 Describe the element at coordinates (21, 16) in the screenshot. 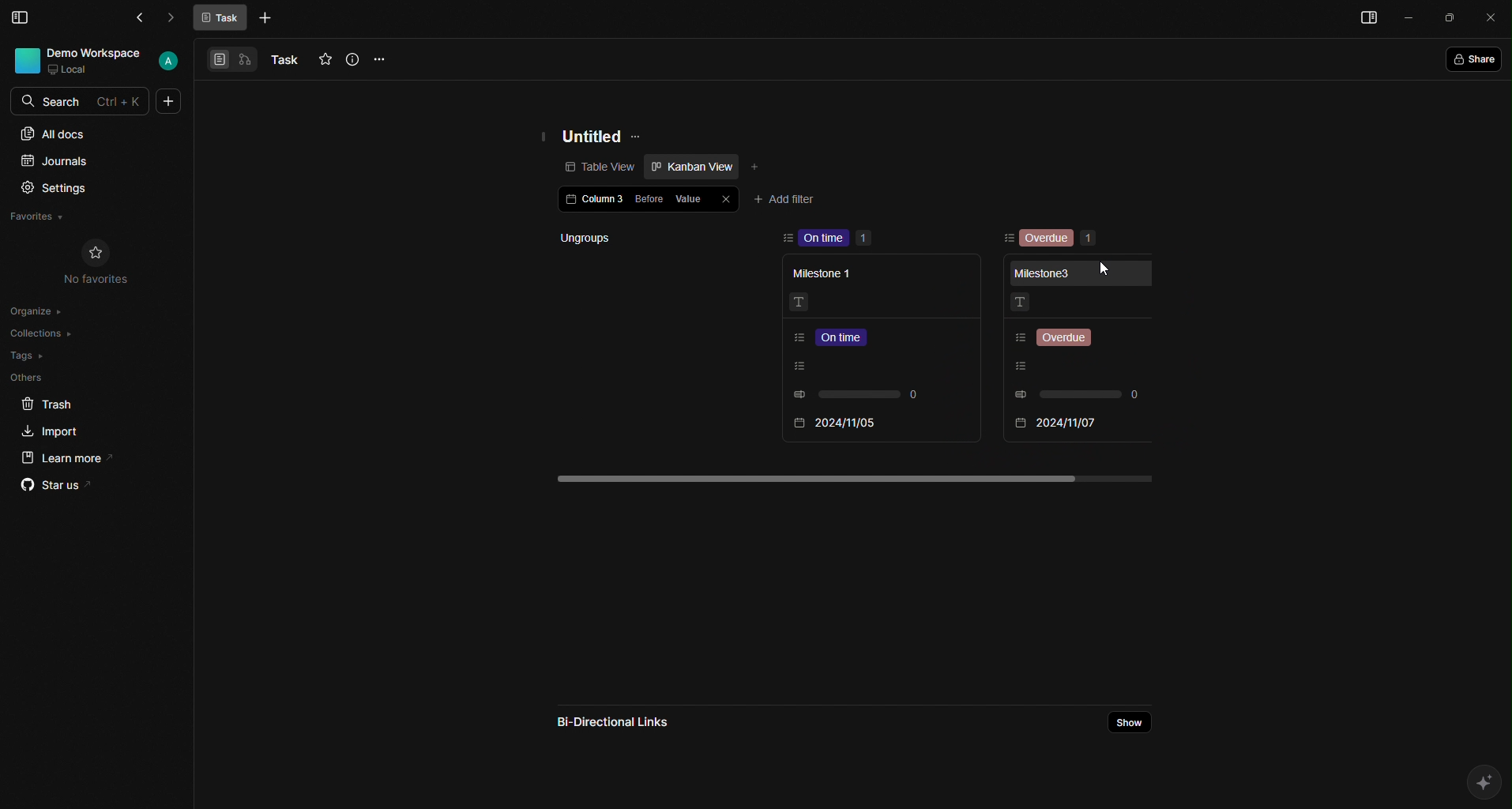

I see `Menu Bar` at that location.